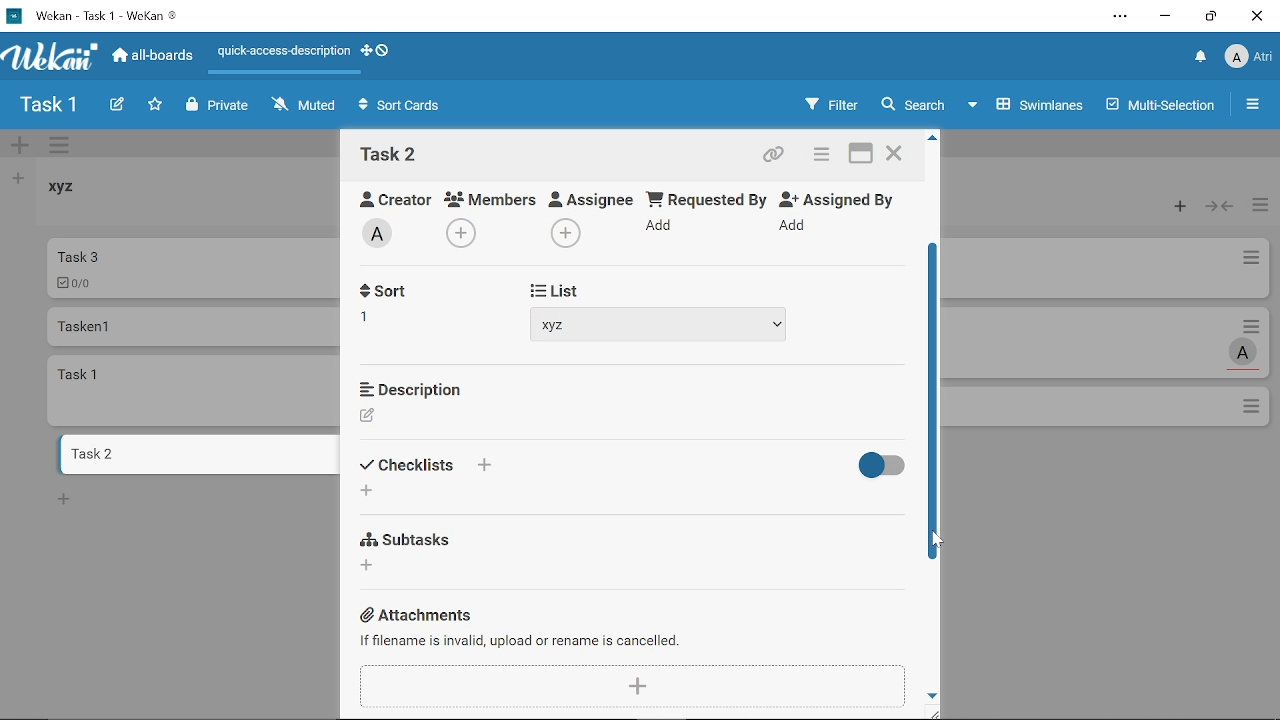 Image resolution: width=1280 pixels, height=720 pixels. Describe the element at coordinates (818, 157) in the screenshot. I see `Card actions` at that location.